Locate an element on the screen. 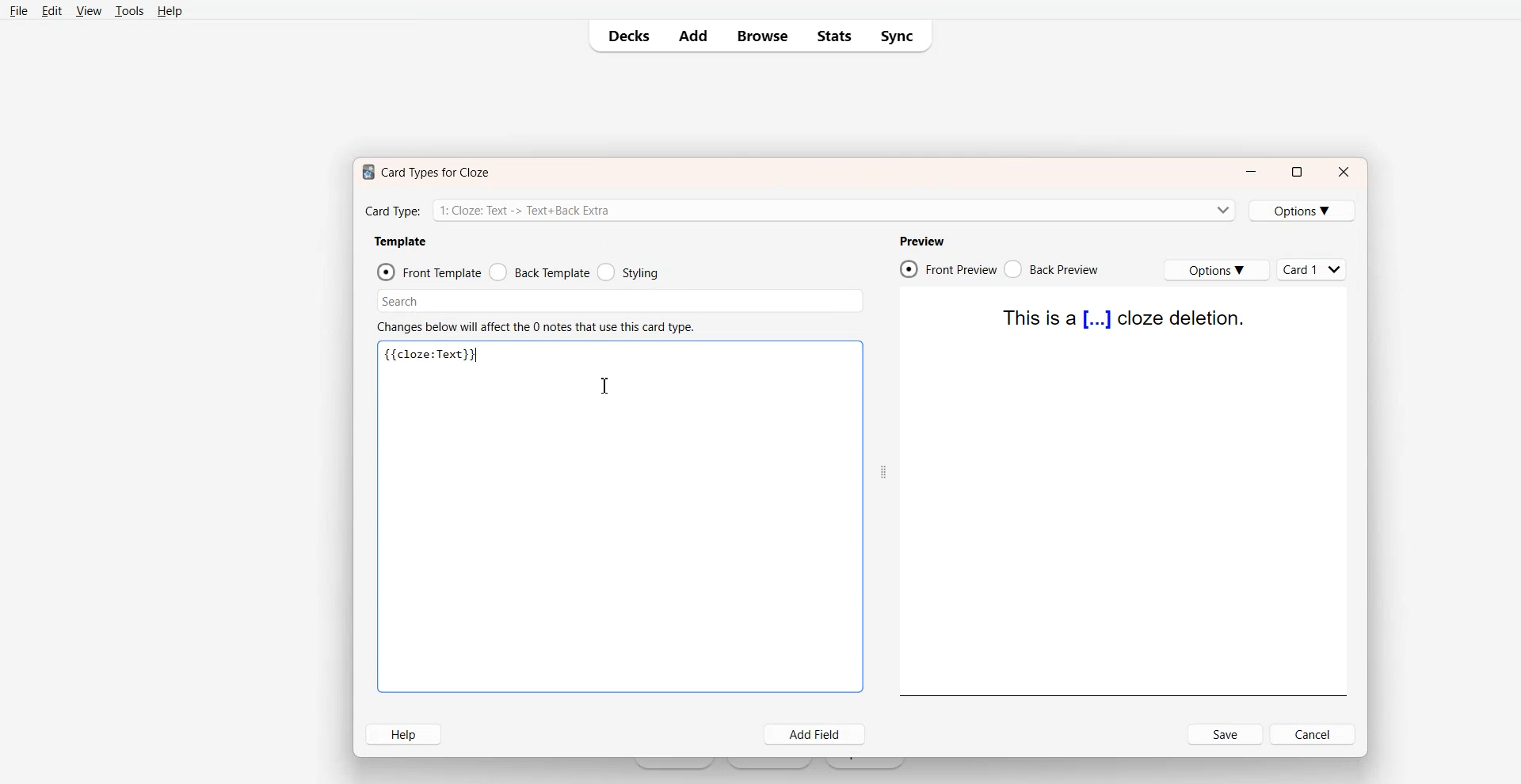 Image resolution: width=1521 pixels, height=784 pixels. Styling is located at coordinates (627, 272).